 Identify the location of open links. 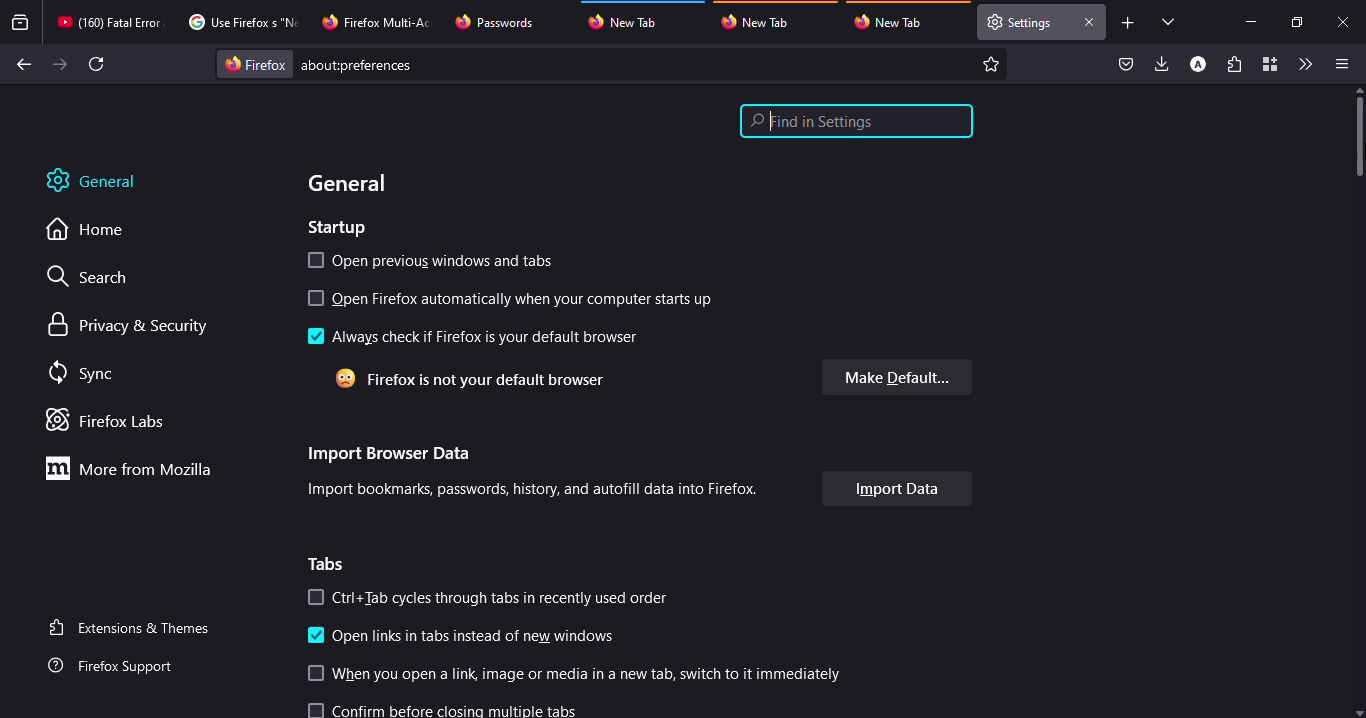
(477, 639).